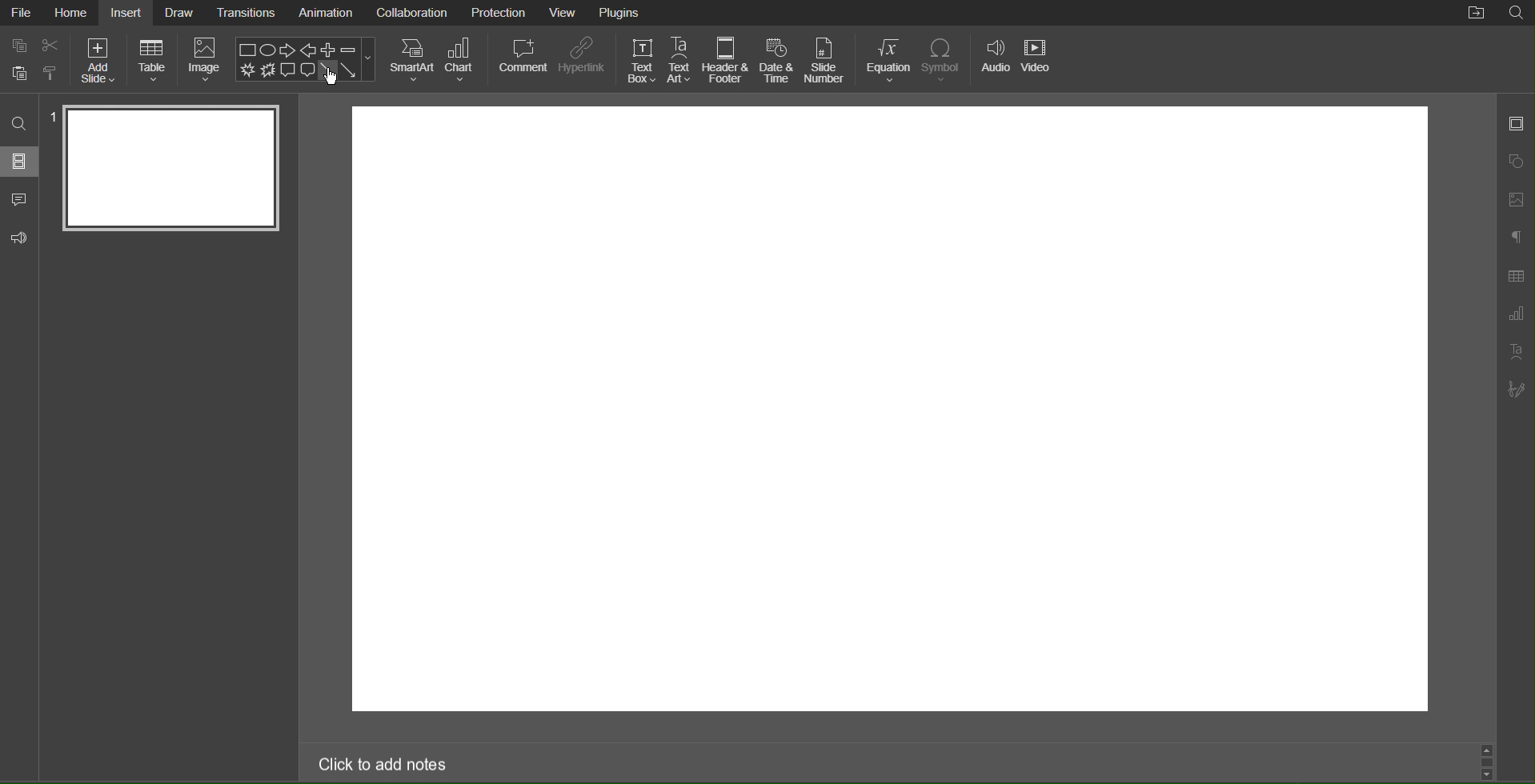  Describe the element at coordinates (20, 124) in the screenshot. I see `Search` at that location.